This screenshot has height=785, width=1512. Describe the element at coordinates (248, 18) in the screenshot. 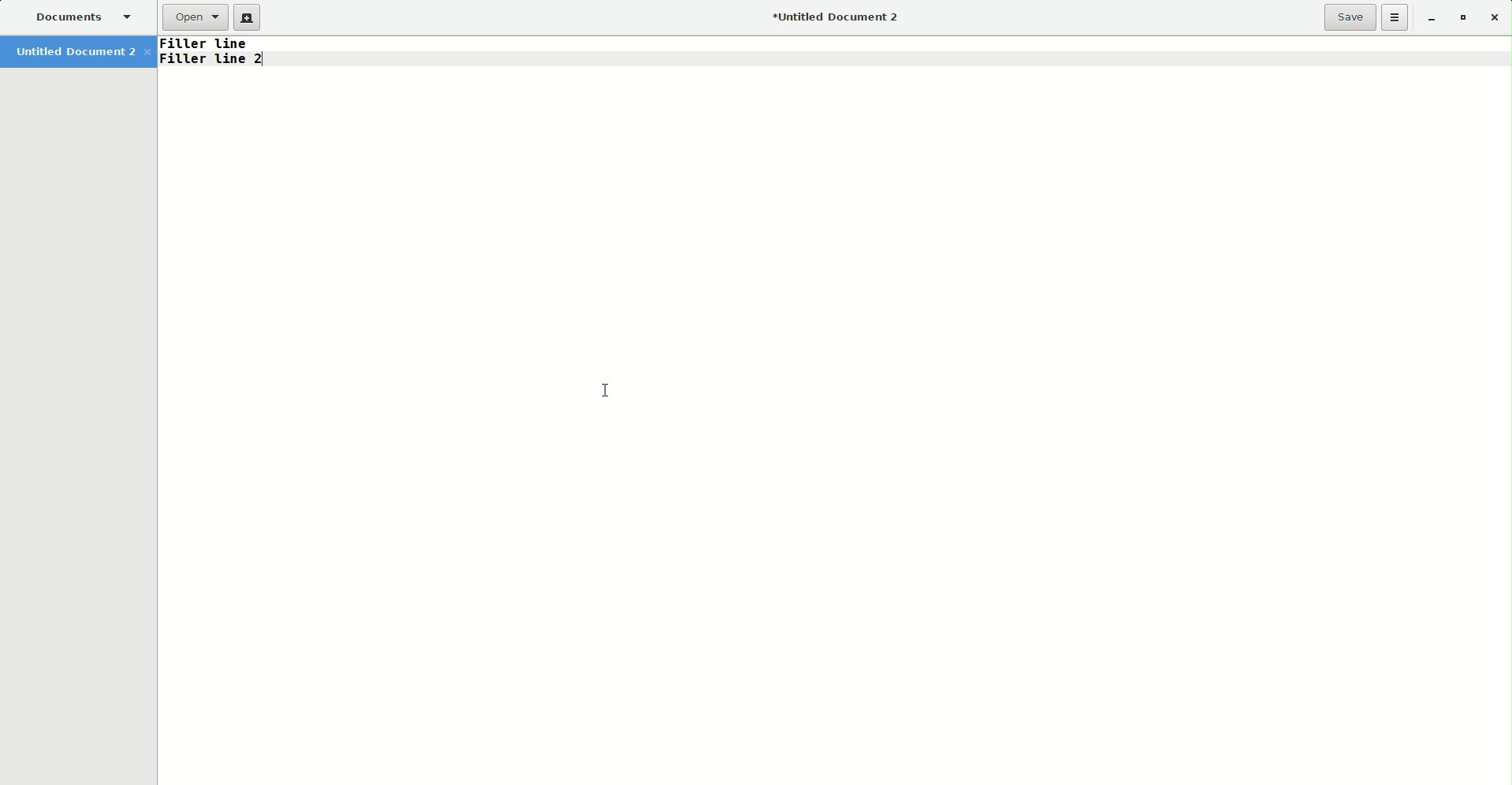

I see `New` at that location.